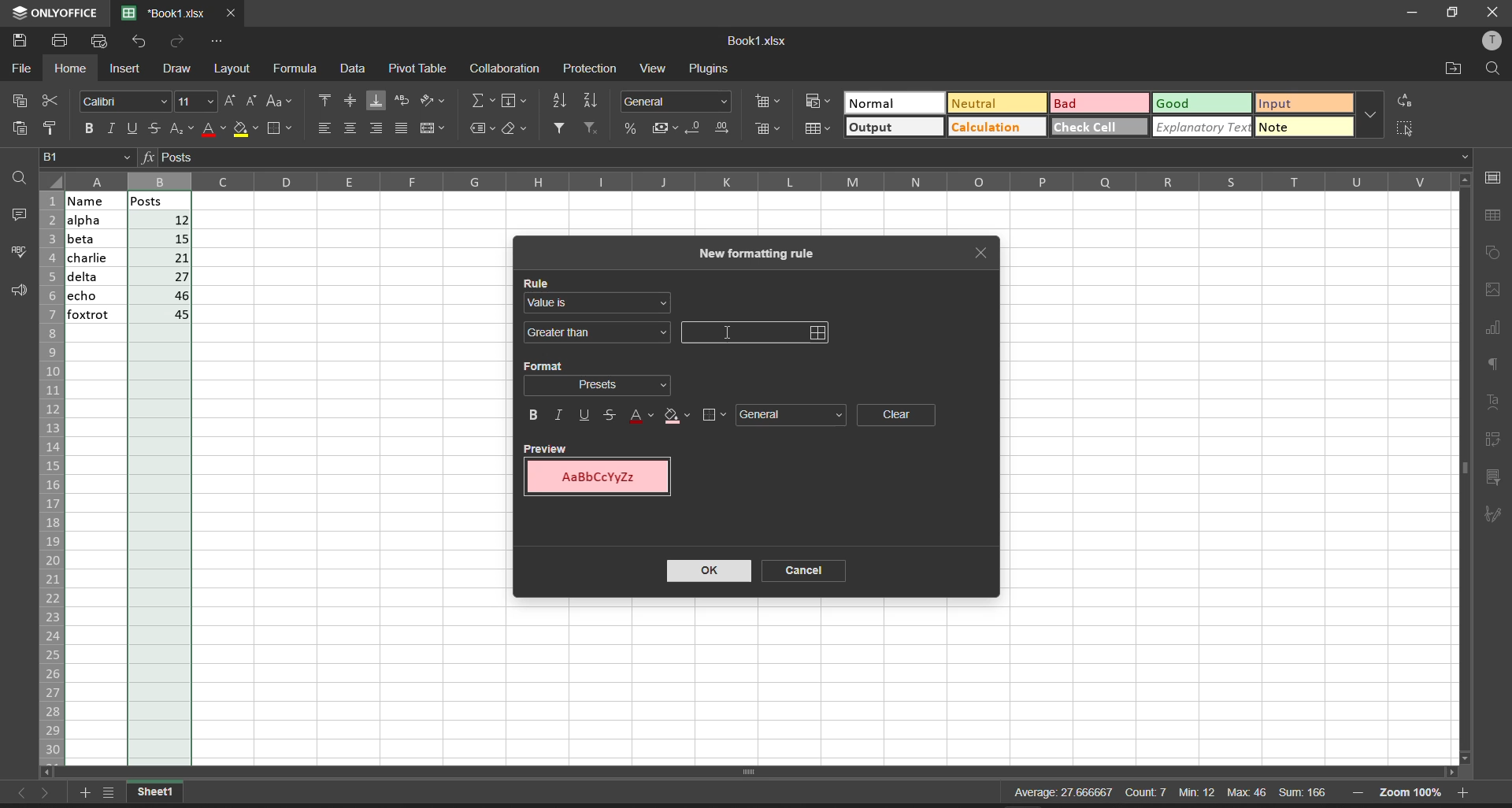 The image size is (1512, 808). I want to click on current workbook, so click(160, 791).